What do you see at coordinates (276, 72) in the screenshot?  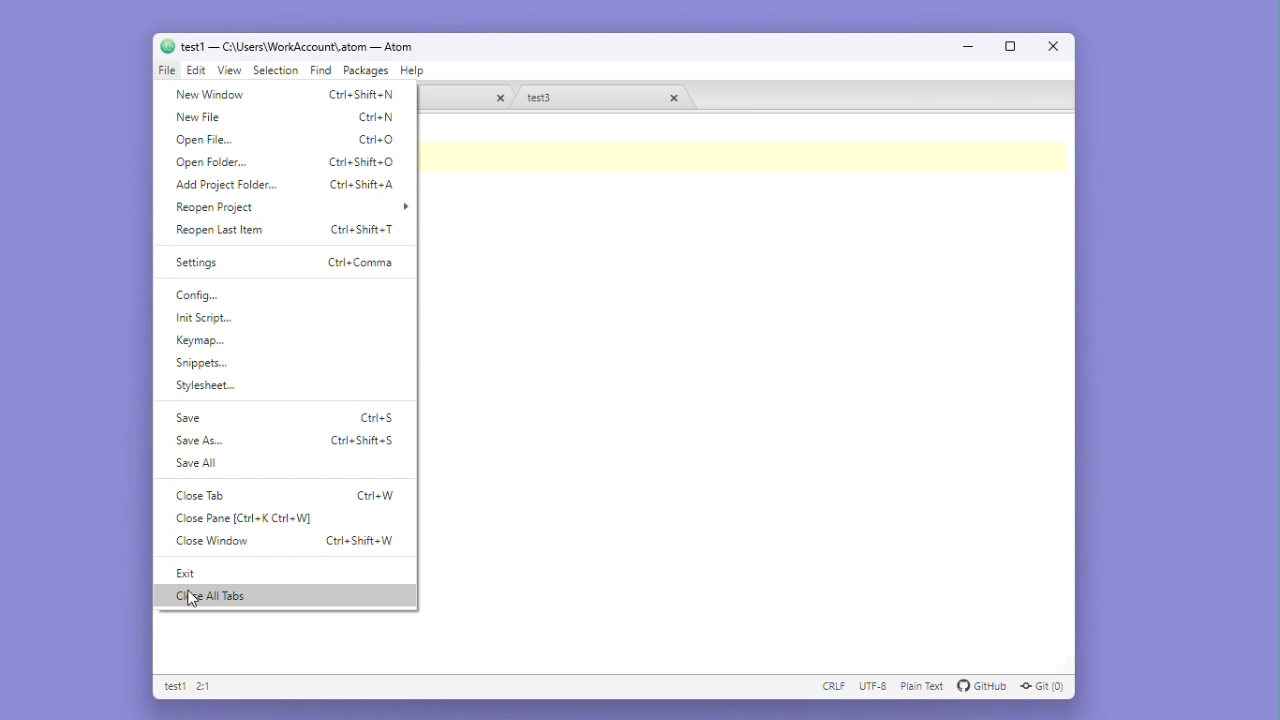 I see `Selection` at bounding box center [276, 72].